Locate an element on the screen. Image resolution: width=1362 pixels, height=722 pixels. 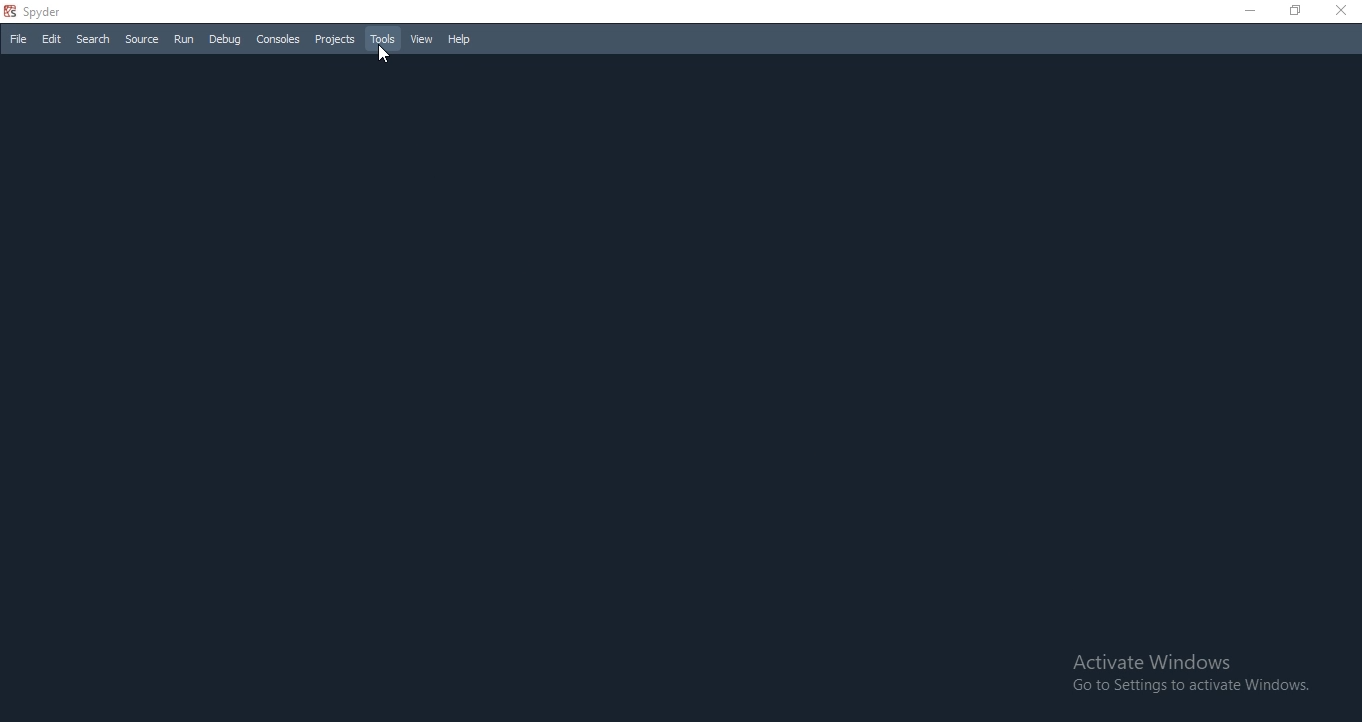
Search is located at coordinates (93, 40).